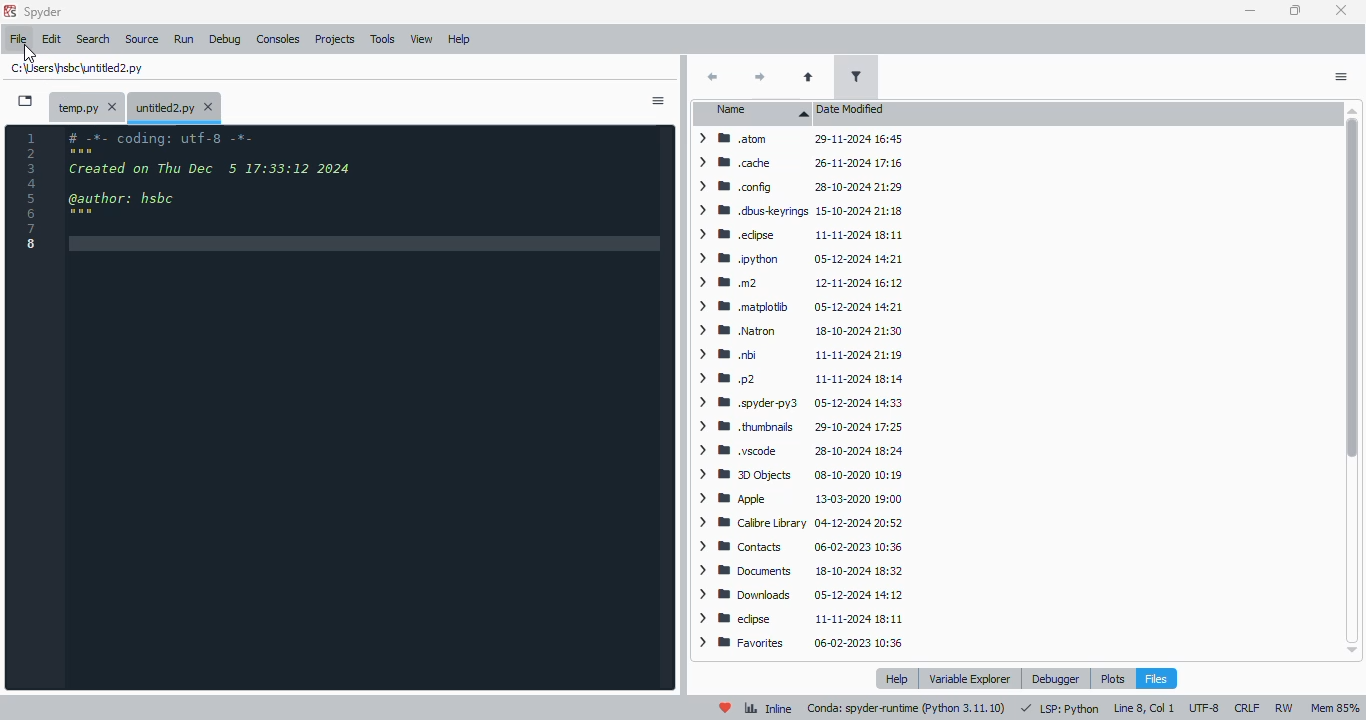  Describe the element at coordinates (801, 163) in the screenshot. I see `> MW cache 26-11-2024 17:16` at that location.